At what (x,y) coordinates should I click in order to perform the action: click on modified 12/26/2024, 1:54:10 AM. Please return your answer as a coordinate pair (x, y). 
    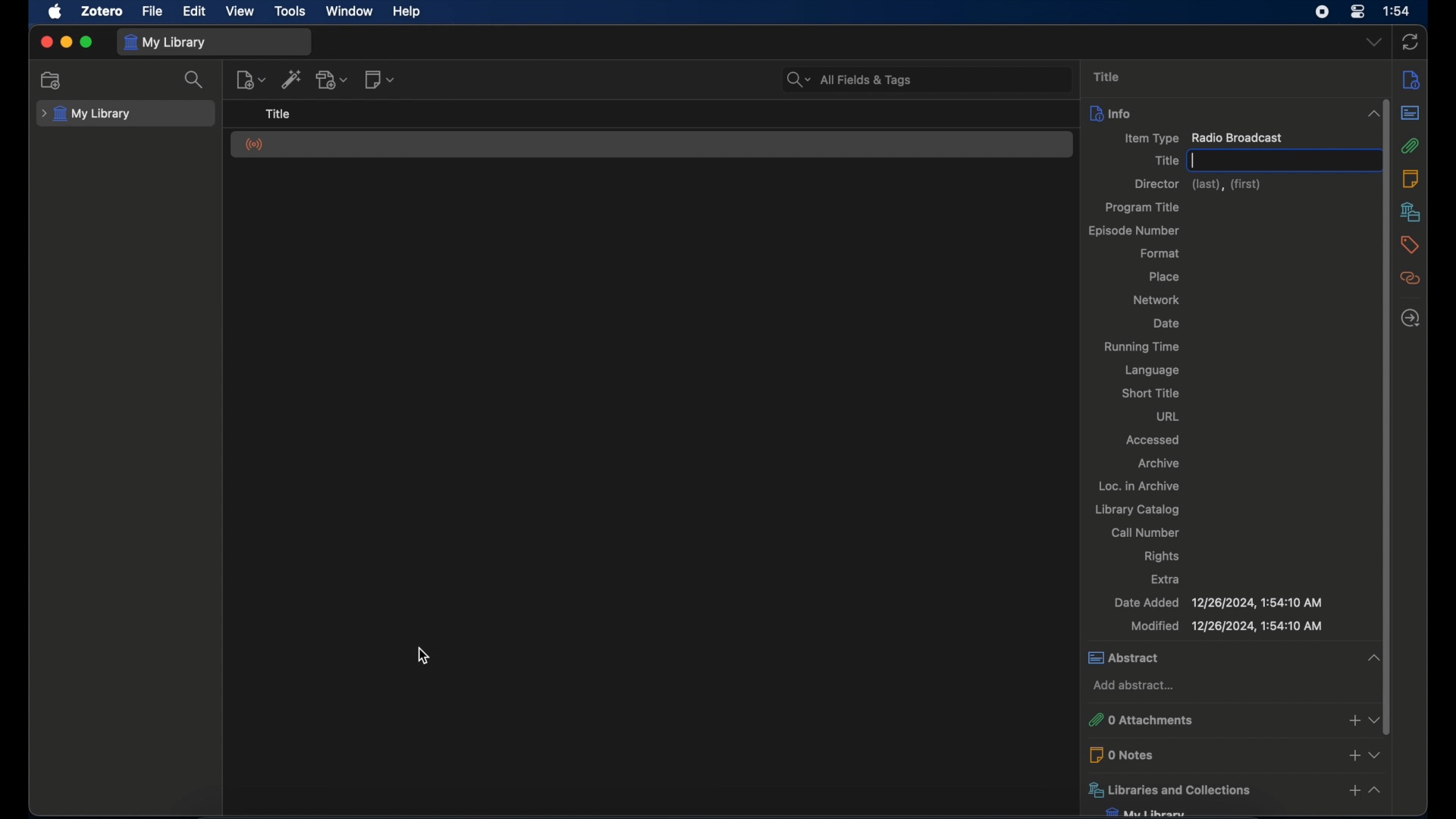
    Looking at the image, I should click on (1228, 627).